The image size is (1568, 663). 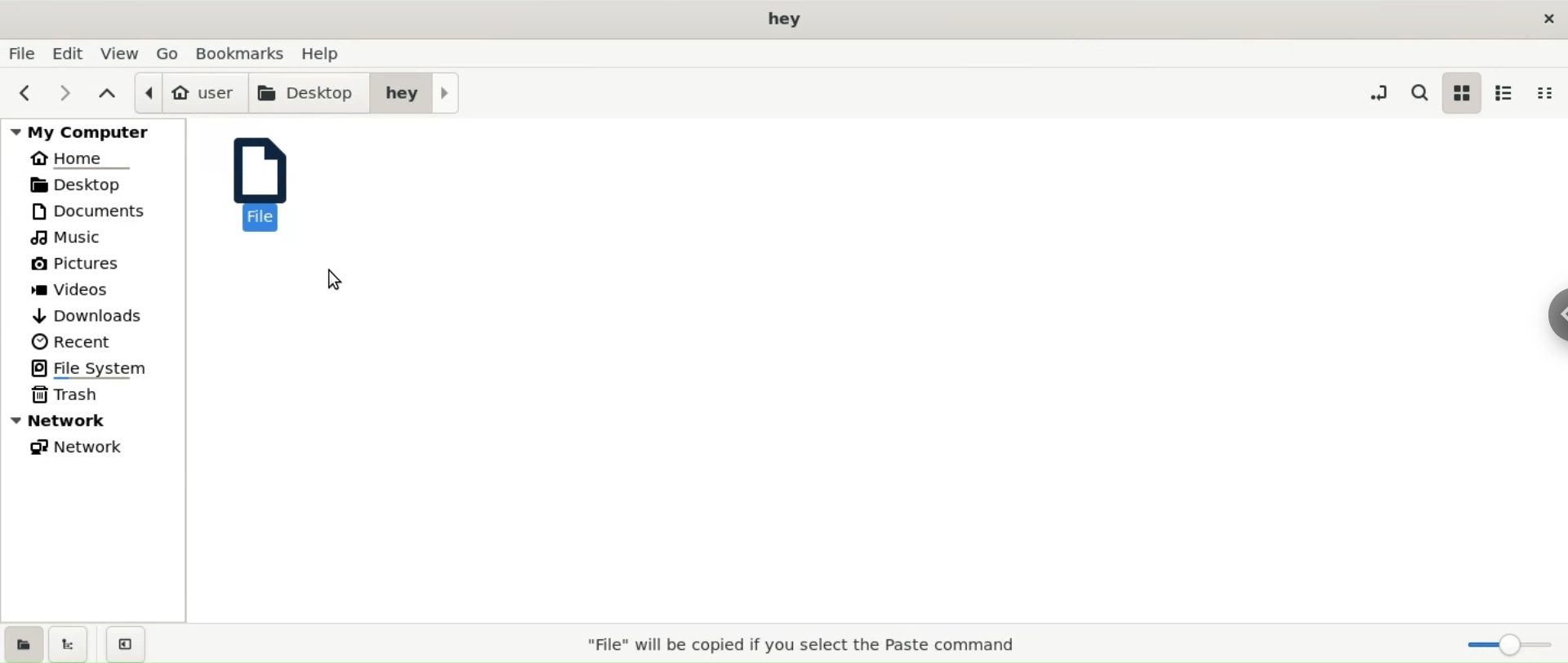 What do you see at coordinates (800, 643) in the screenshot?
I see `"File" will be copied if you select the Paste command` at bounding box center [800, 643].